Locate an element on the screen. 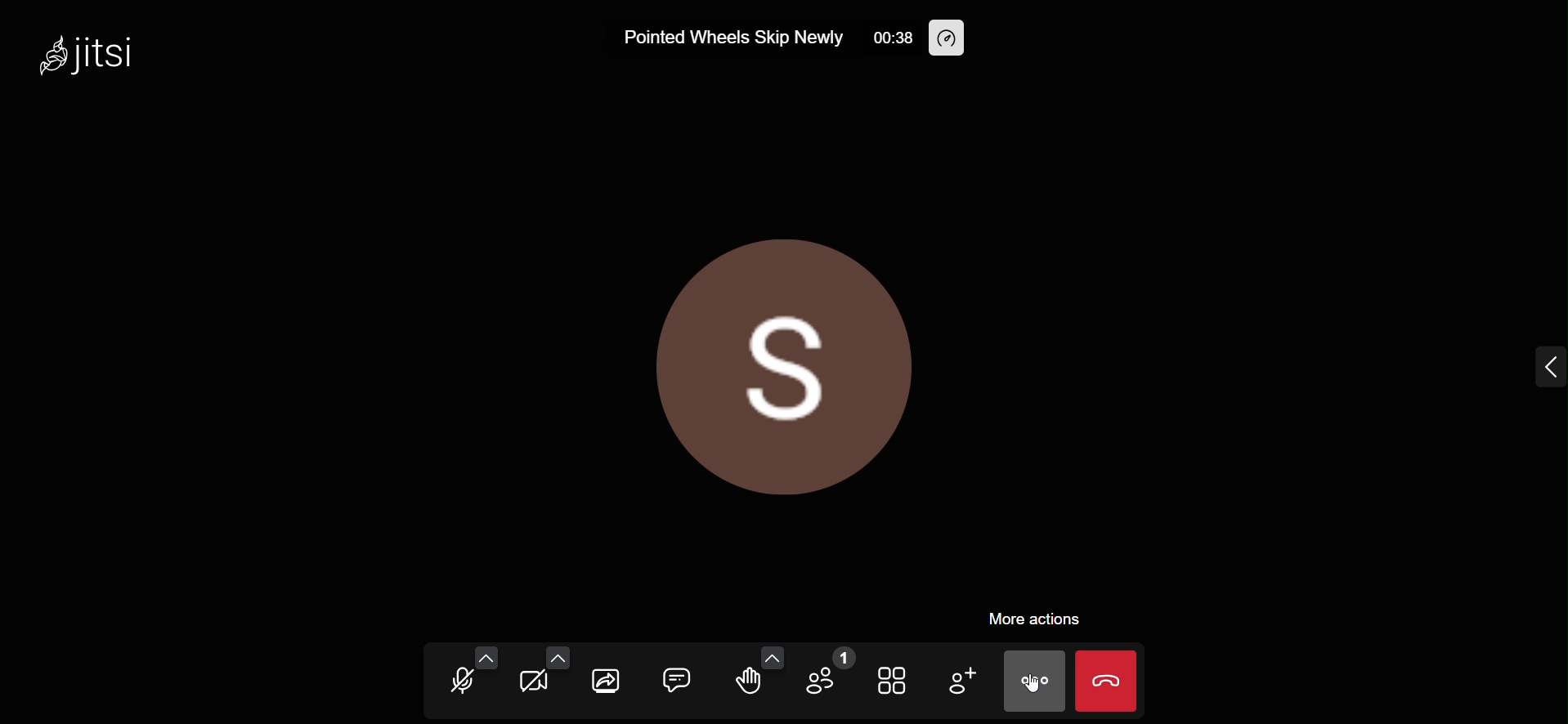 The image size is (1568, 724). more action is located at coordinates (1024, 624).